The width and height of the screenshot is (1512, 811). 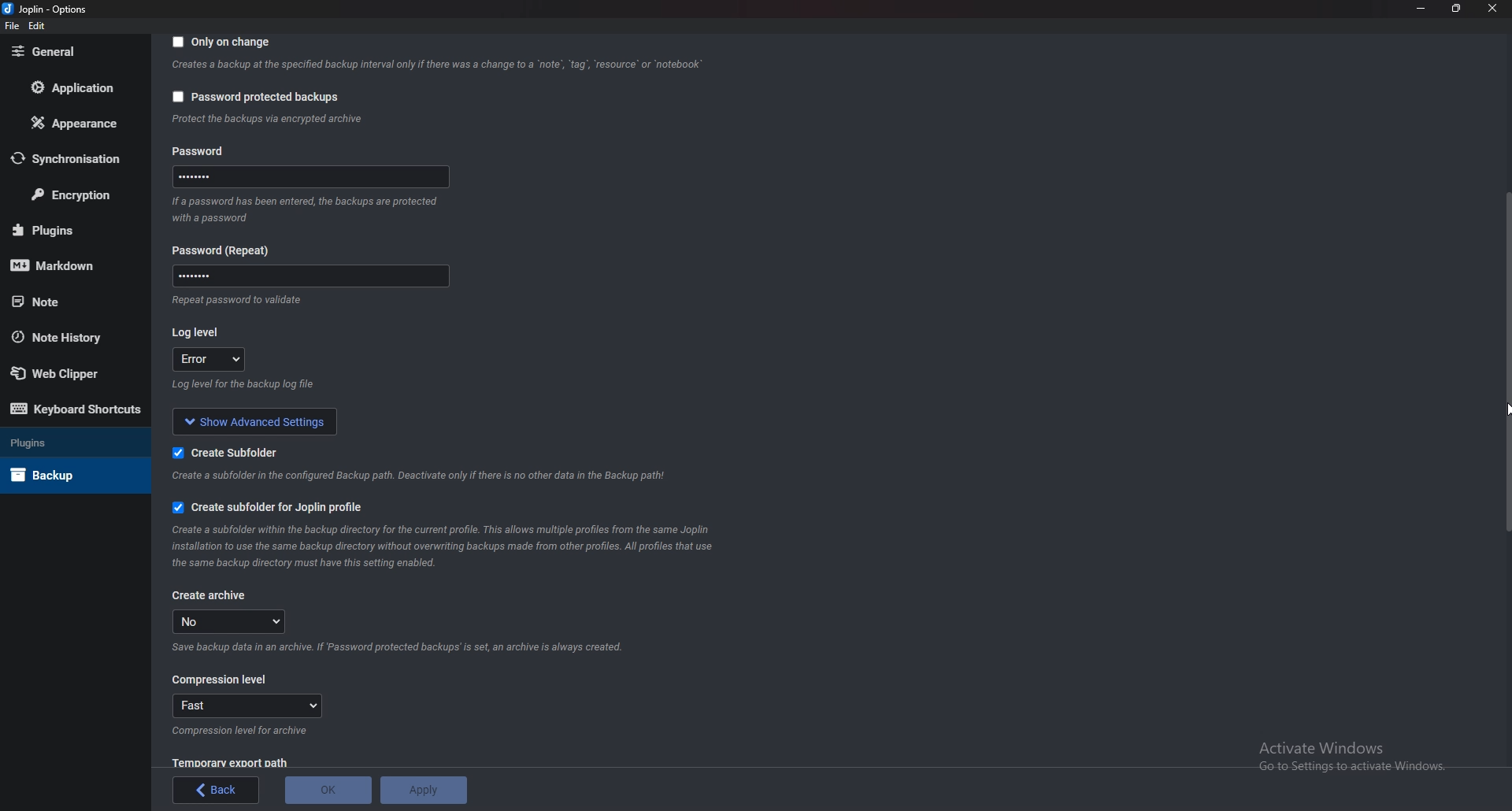 What do you see at coordinates (421, 476) in the screenshot?
I see `Info on subfolderf` at bounding box center [421, 476].